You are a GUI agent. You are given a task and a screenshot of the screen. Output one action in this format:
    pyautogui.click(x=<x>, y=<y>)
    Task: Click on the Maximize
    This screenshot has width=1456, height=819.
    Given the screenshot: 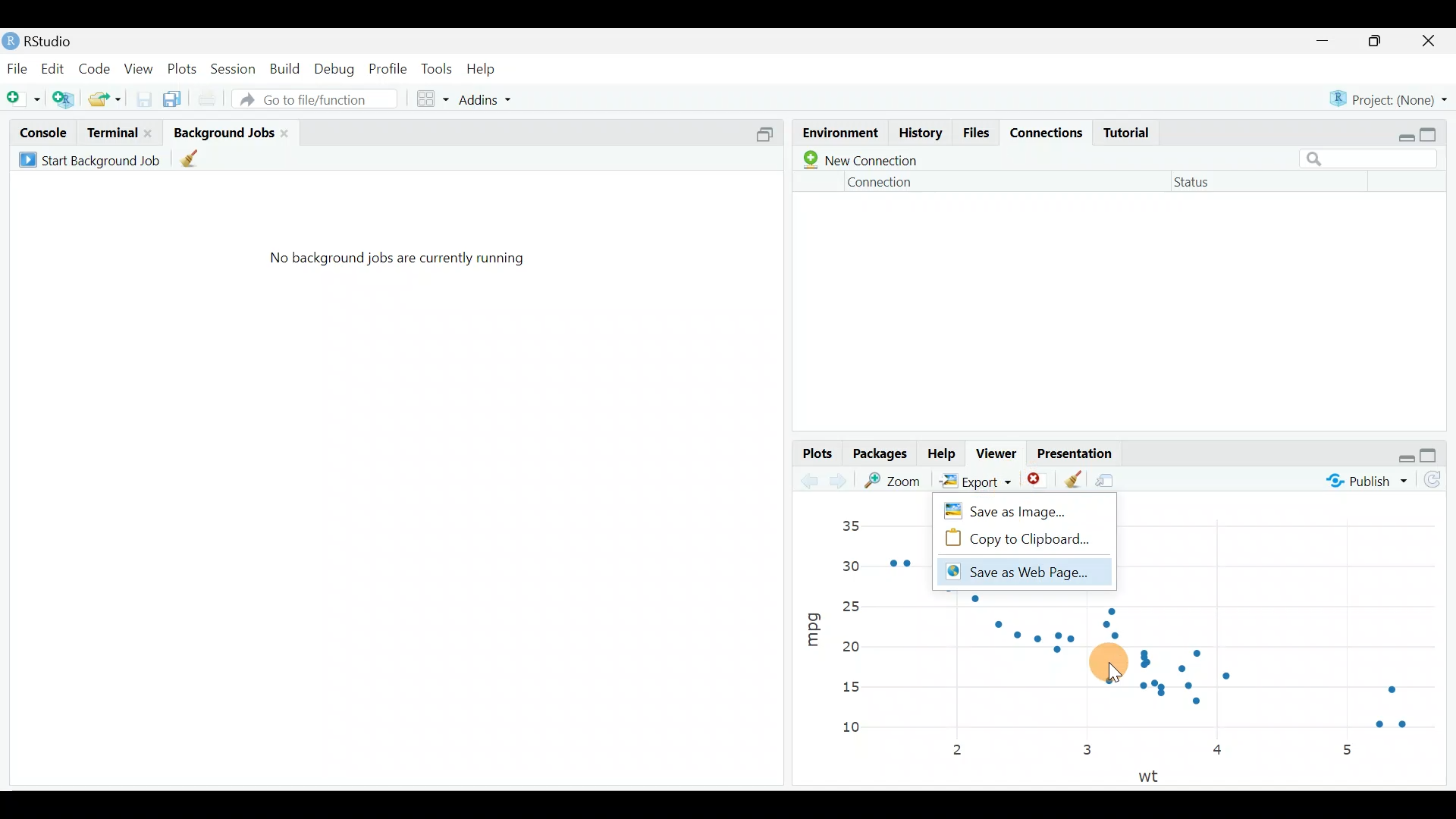 What is the action you would take?
    pyautogui.click(x=1378, y=42)
    